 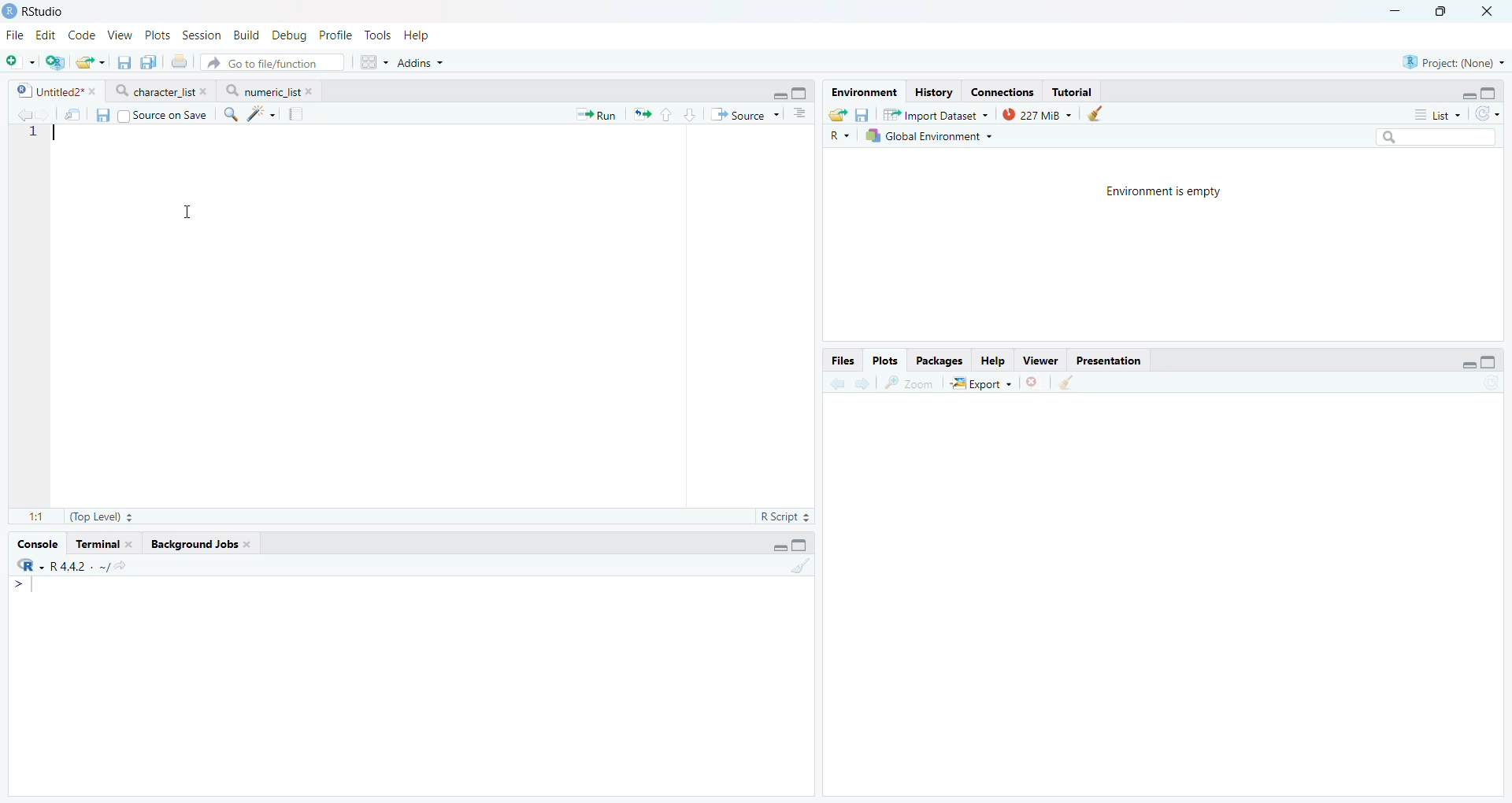 What do you see at coordinates (1072, 91) in the screenshot?
I see `Tutorial` at bounding box center [1072, 91].